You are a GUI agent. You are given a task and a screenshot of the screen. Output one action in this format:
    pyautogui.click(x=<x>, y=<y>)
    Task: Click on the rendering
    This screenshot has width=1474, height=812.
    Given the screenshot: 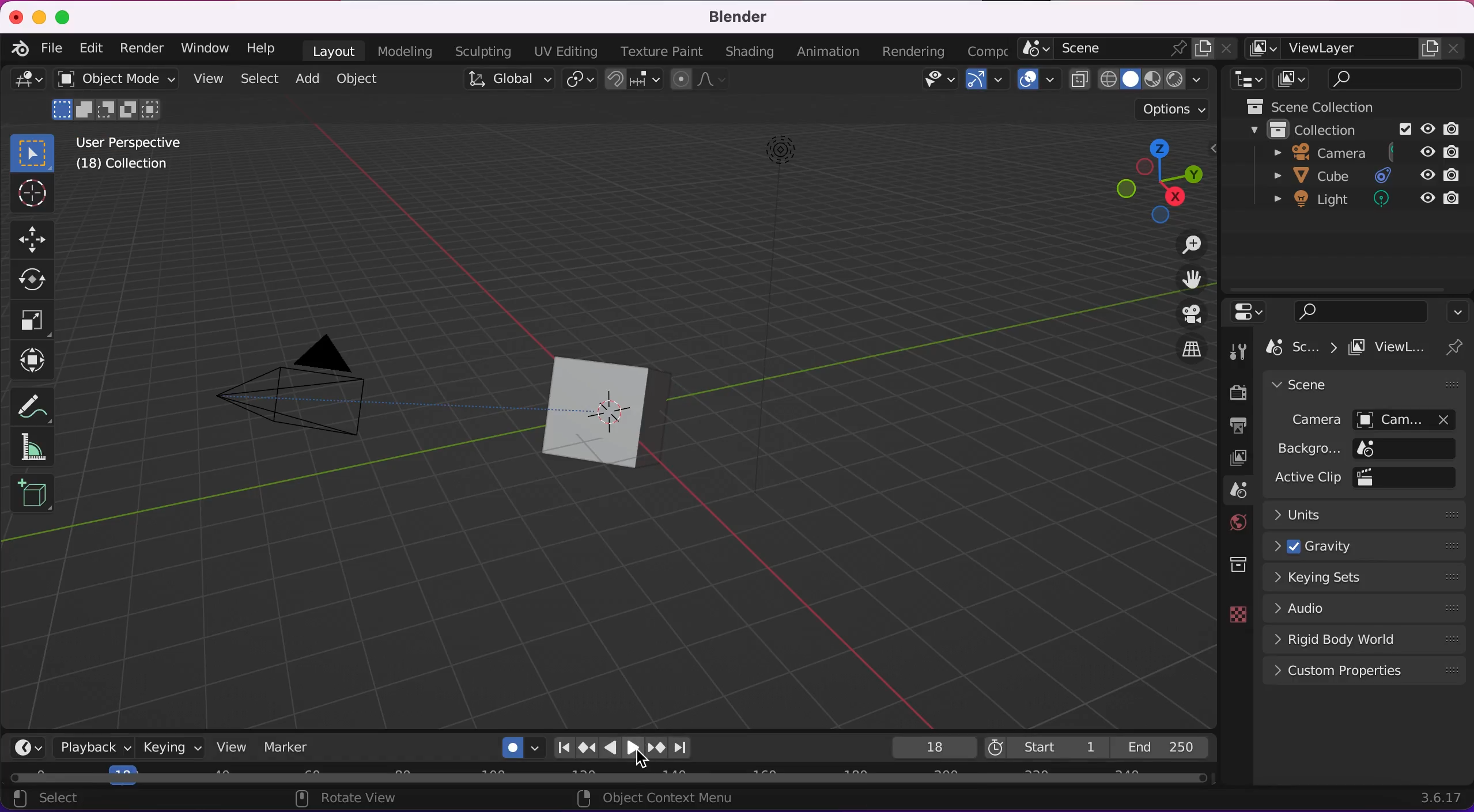 What is the action you would take?
    pyautogui.click(x=919, y=50)
    